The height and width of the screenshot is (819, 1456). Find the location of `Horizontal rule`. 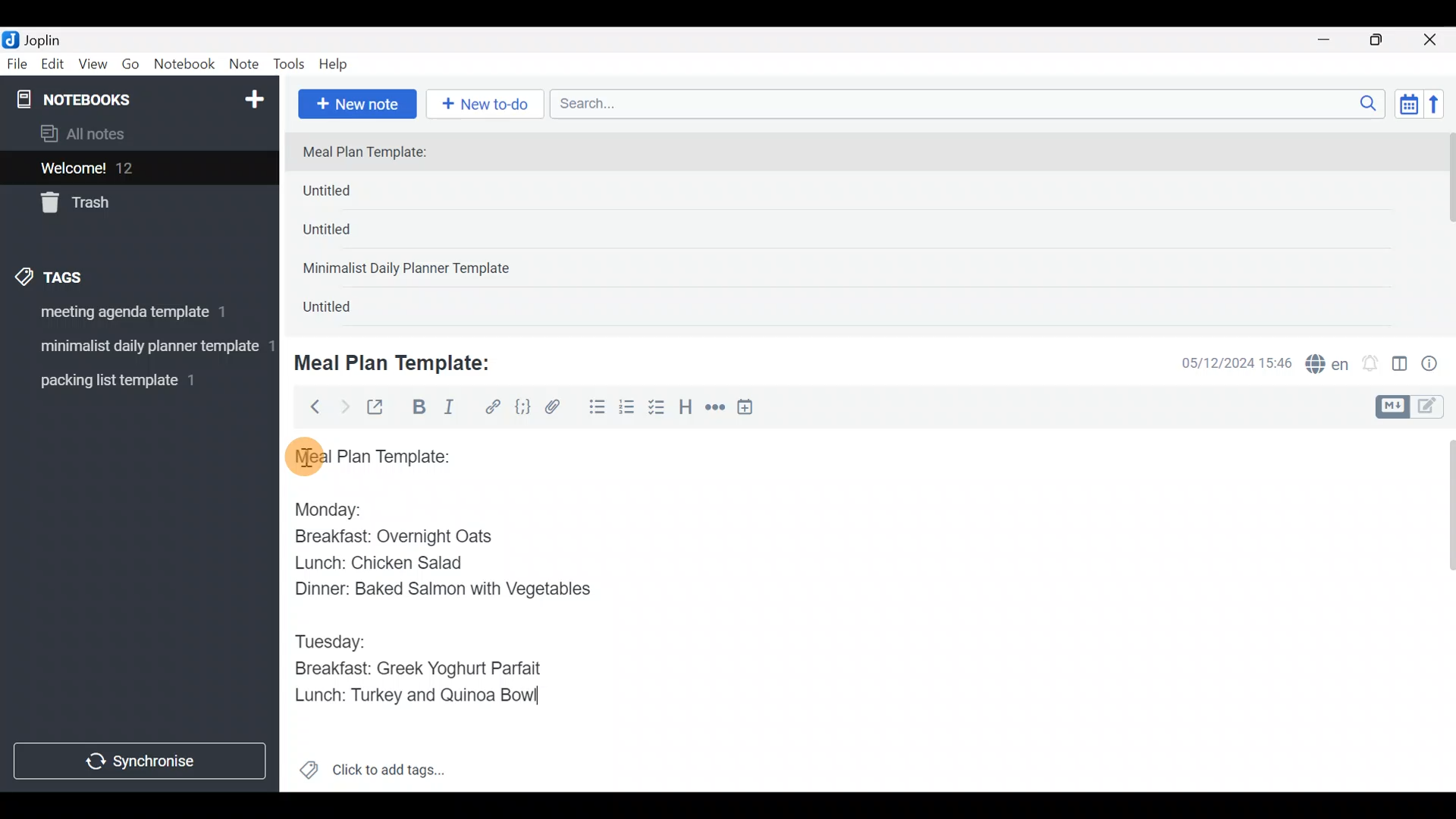

Horizontal rule is located at coordinates (715, 409).